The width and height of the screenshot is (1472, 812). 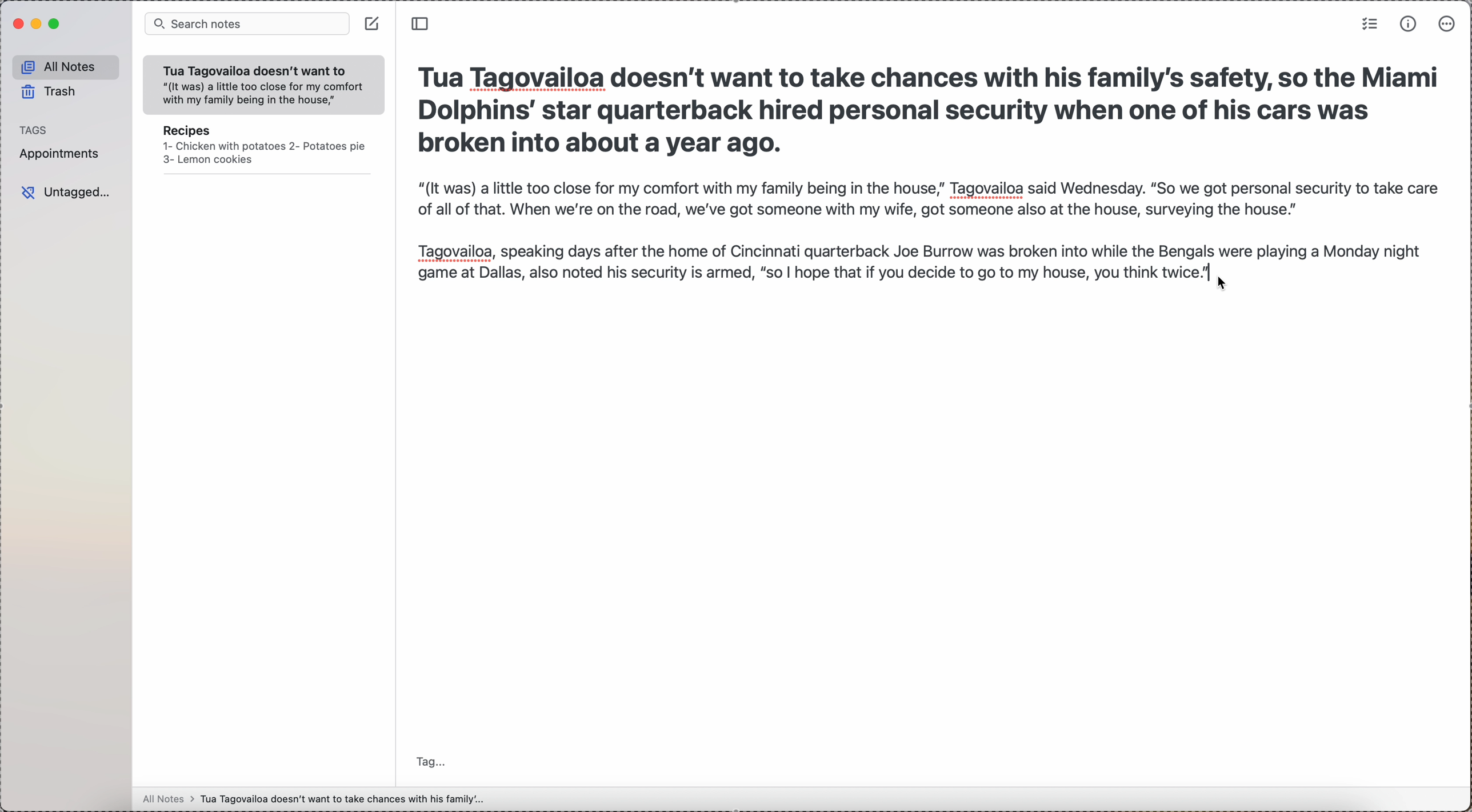 I want to click on cursor , so click(x=1229, y=282).